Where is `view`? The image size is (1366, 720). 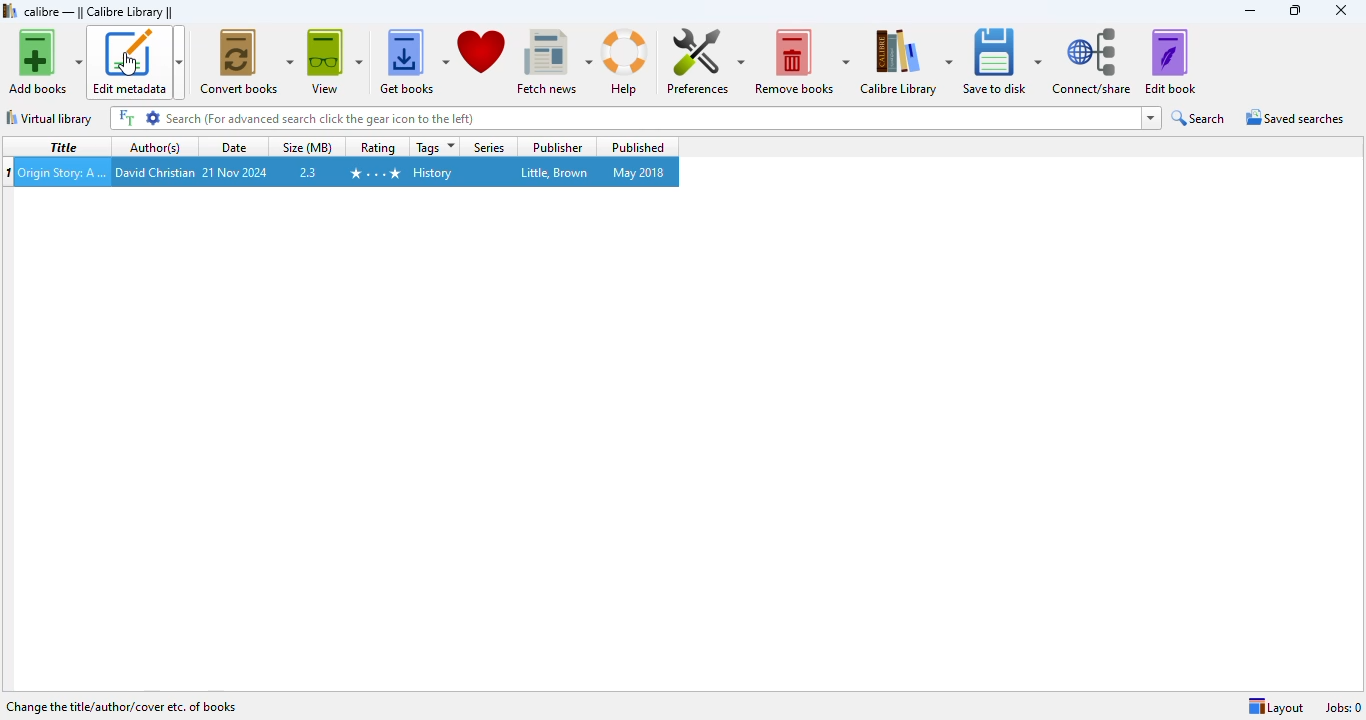 view is located at coordinates (335, 62).